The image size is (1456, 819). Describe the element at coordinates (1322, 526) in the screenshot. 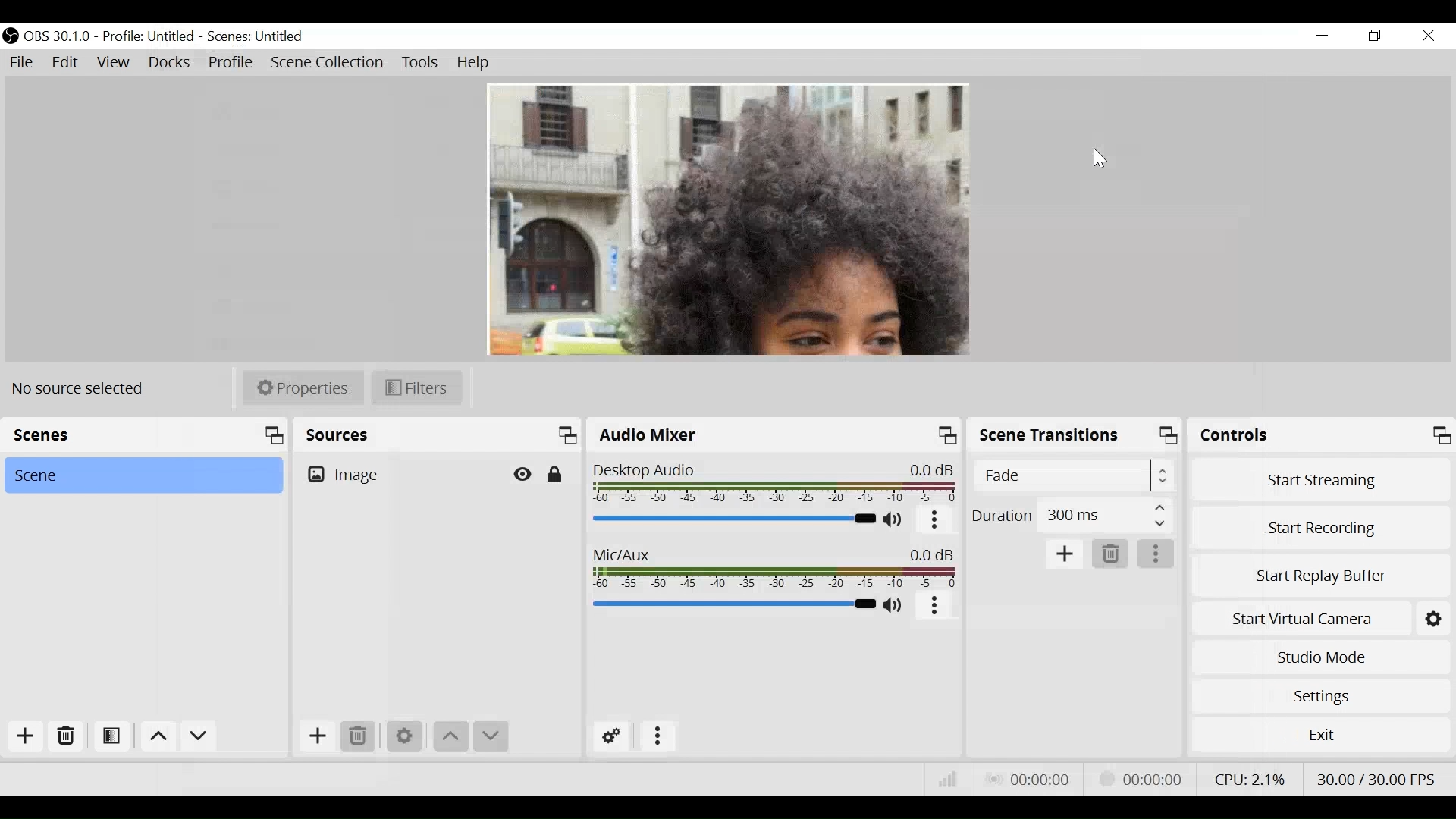

I see `Start Recording` at that location.